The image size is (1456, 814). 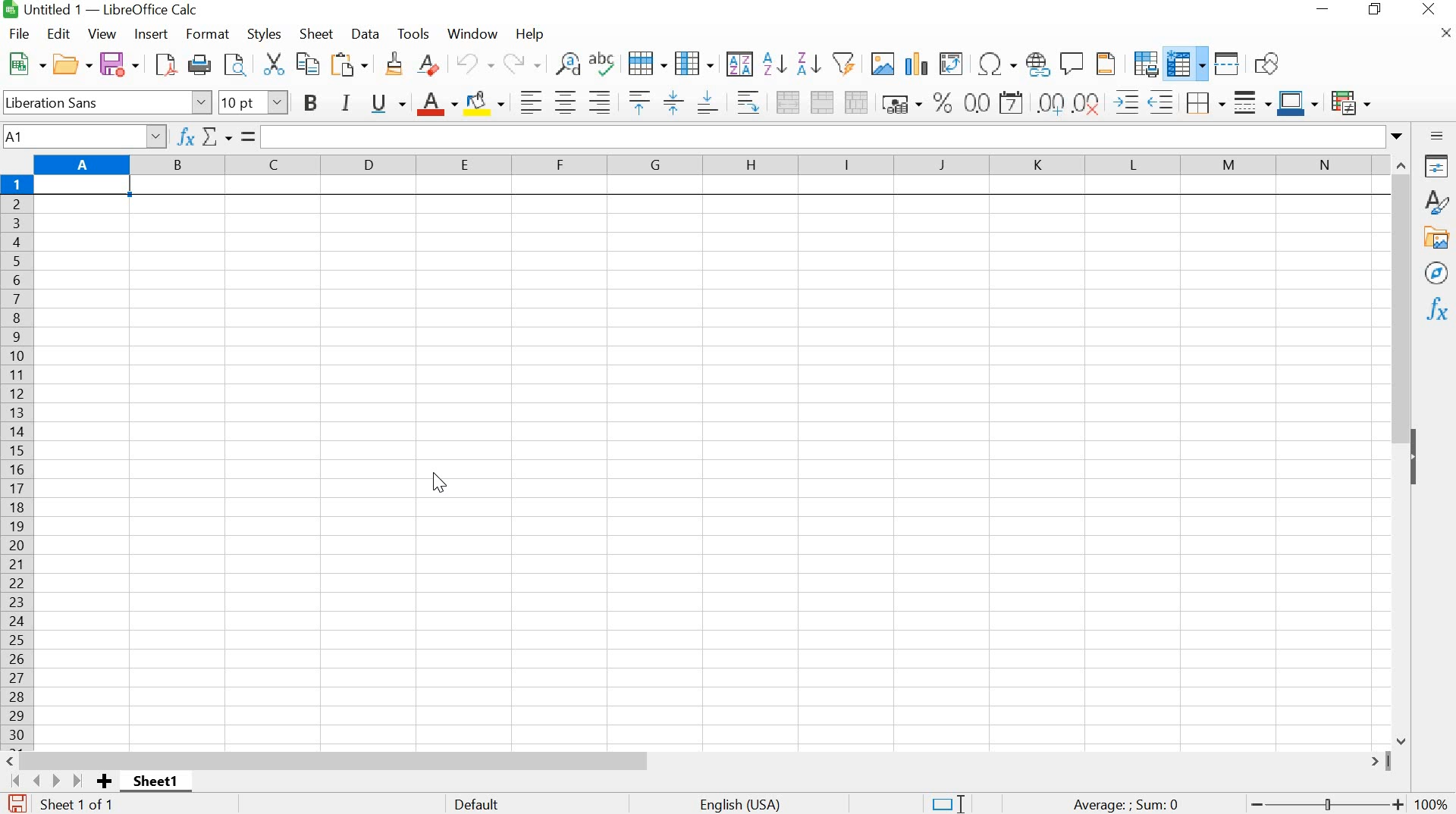 What do you see at coordinates (388, 103) in the screenshot?
I see `UNDERLINE` at bounding box center [388, 103].